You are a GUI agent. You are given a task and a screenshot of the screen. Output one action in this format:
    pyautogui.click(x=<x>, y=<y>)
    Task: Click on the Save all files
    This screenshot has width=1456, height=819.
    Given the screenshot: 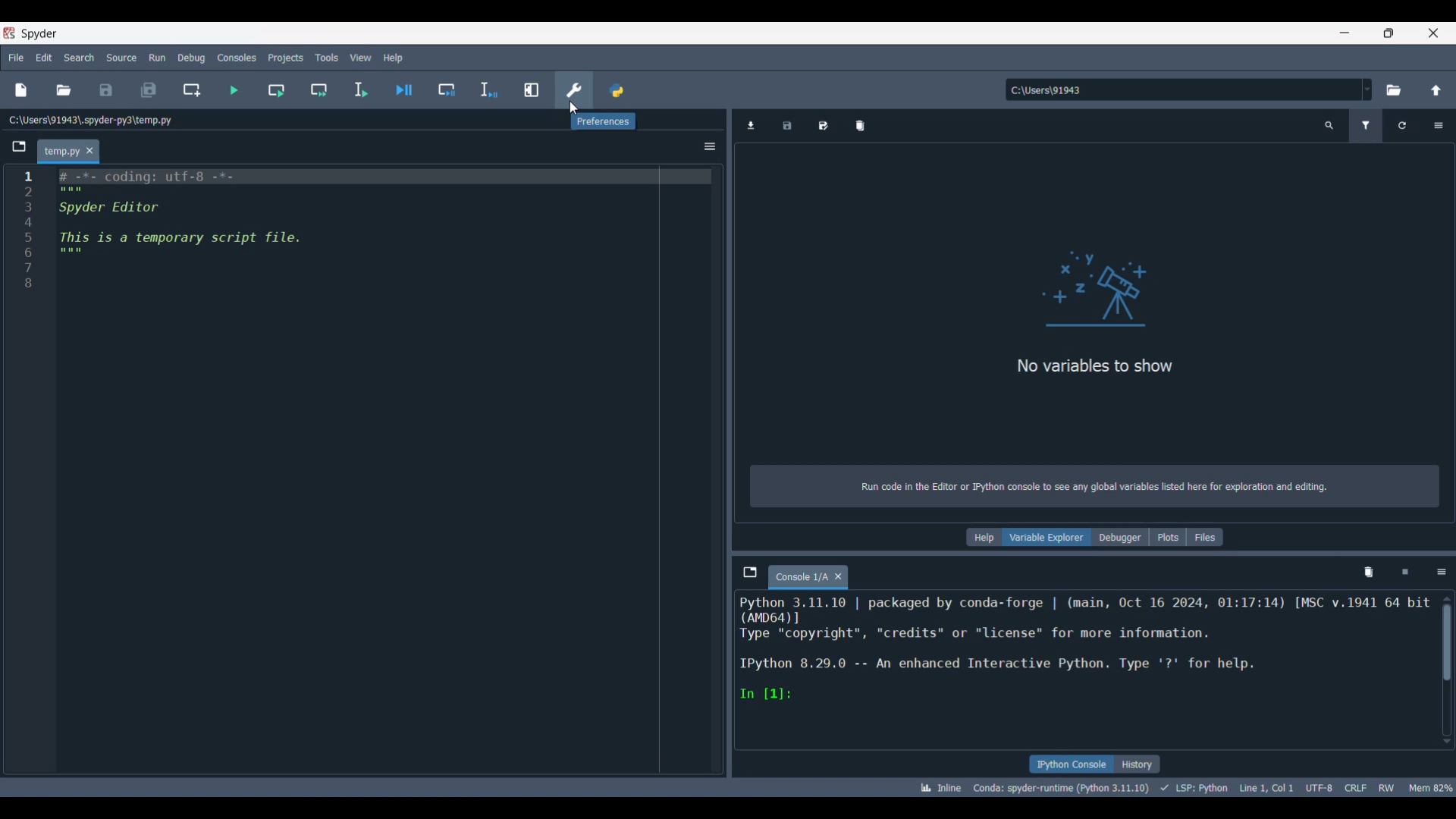 What is the action you would take?
    pyautogui.click(x=149, y=90)
    